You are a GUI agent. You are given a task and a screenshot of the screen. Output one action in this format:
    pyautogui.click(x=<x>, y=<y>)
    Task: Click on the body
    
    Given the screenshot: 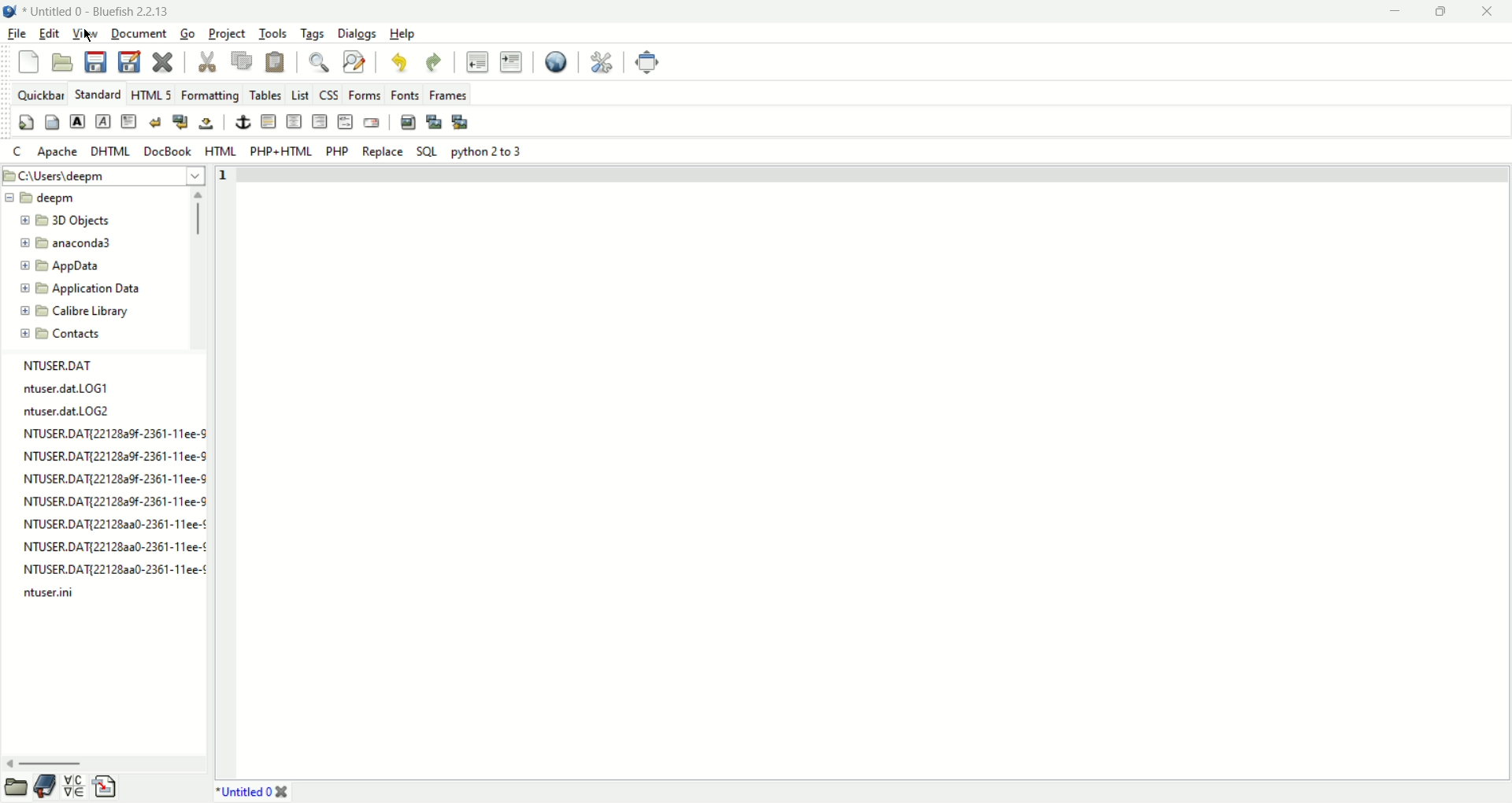 What is the action you would take?
    pyautogui.click(x=54, y=123)
    